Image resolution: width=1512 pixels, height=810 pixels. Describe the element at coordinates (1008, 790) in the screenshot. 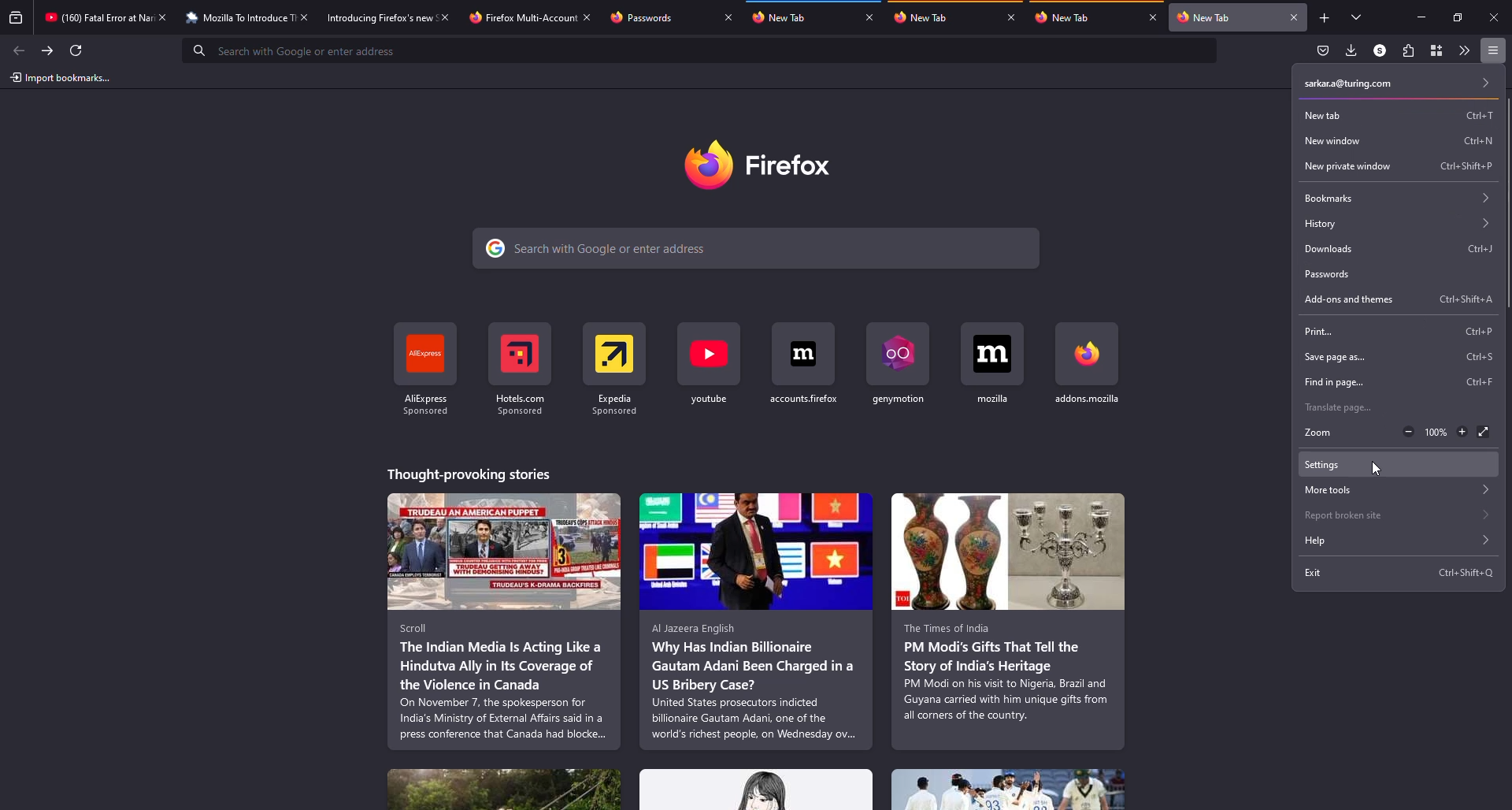

I see `stories` at that location.